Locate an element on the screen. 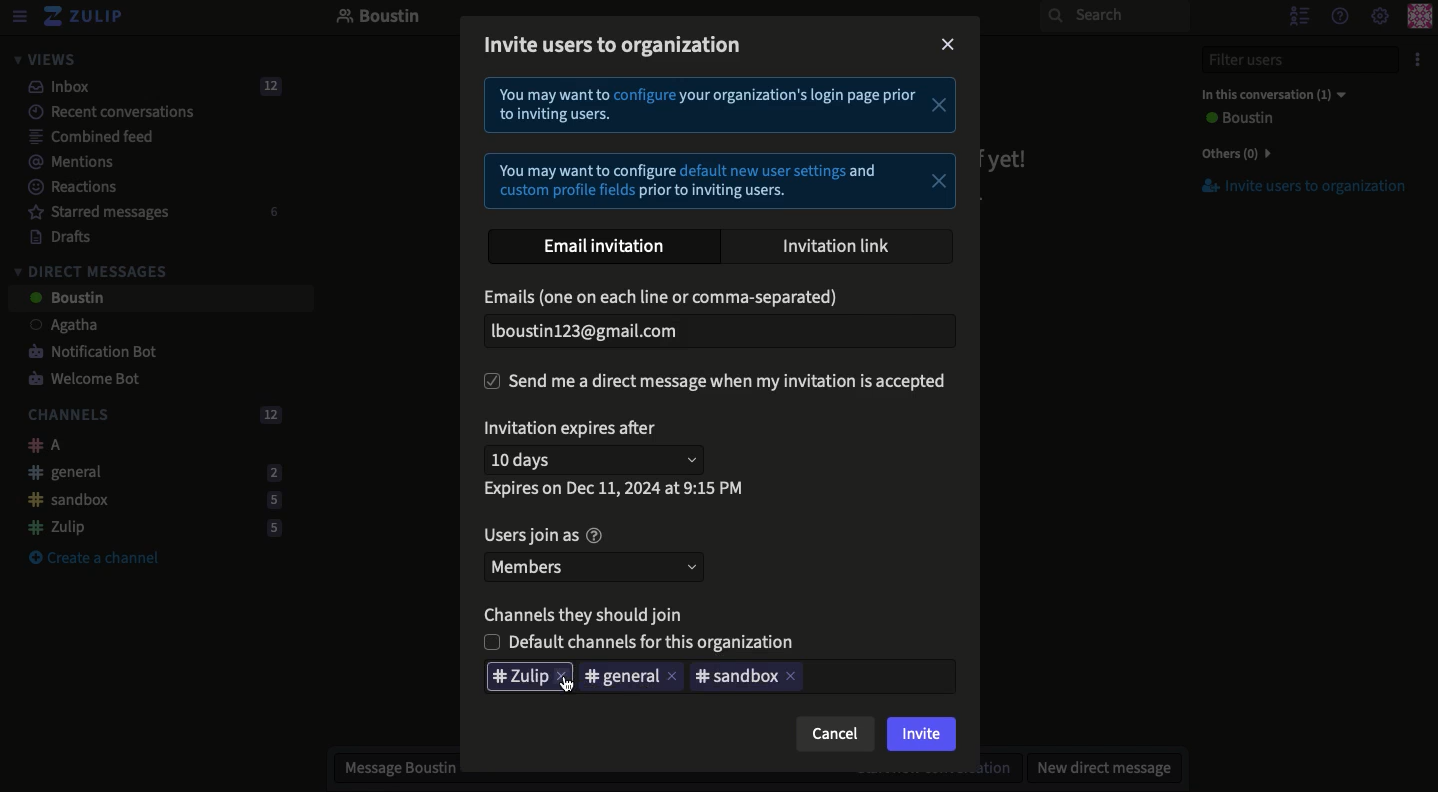 The image size is (1438, 792). Combined feed is located at coordinates (80, 136).